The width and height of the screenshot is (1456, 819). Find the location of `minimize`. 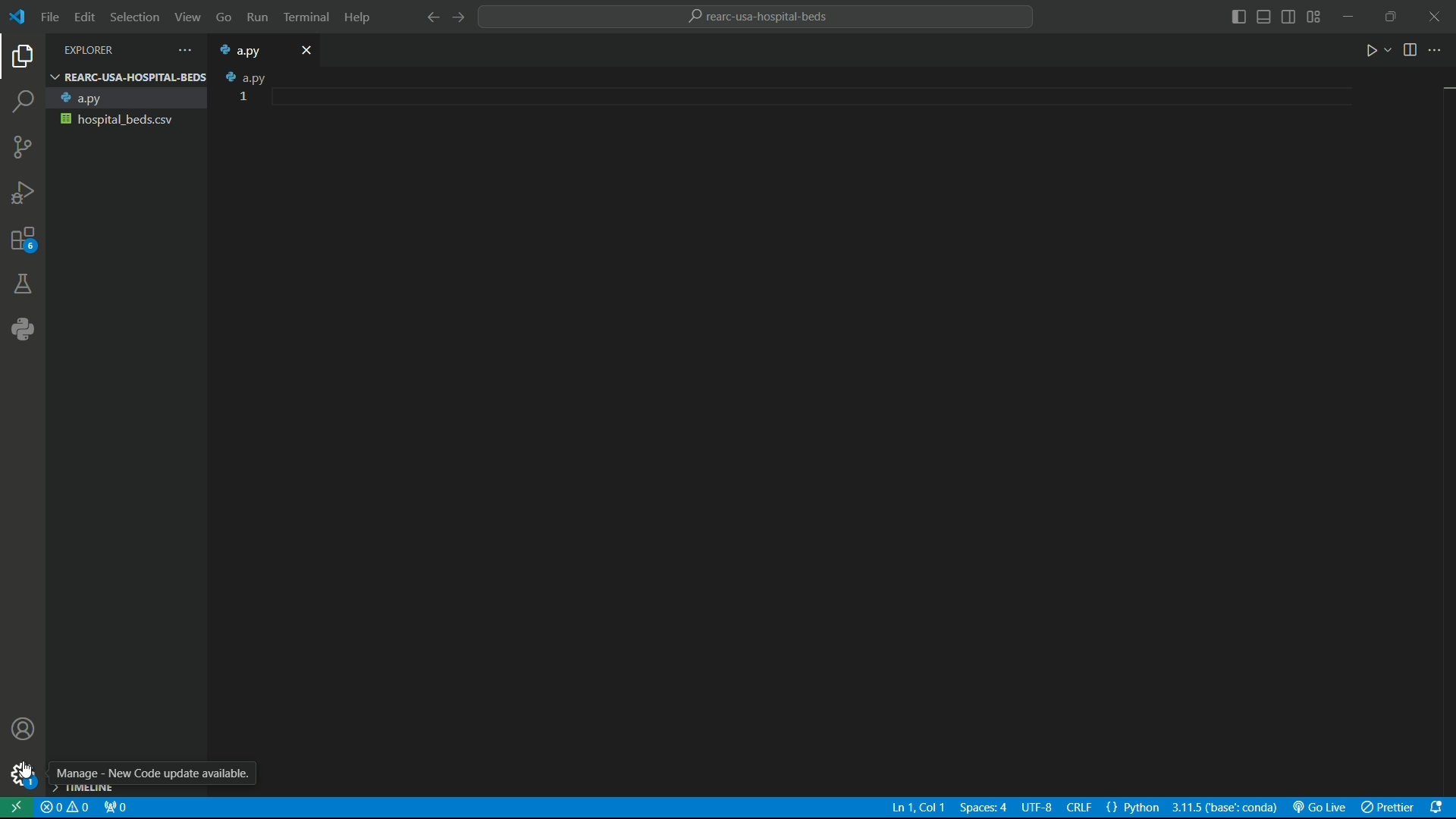

minimize is located at coordinates (1350, 16).